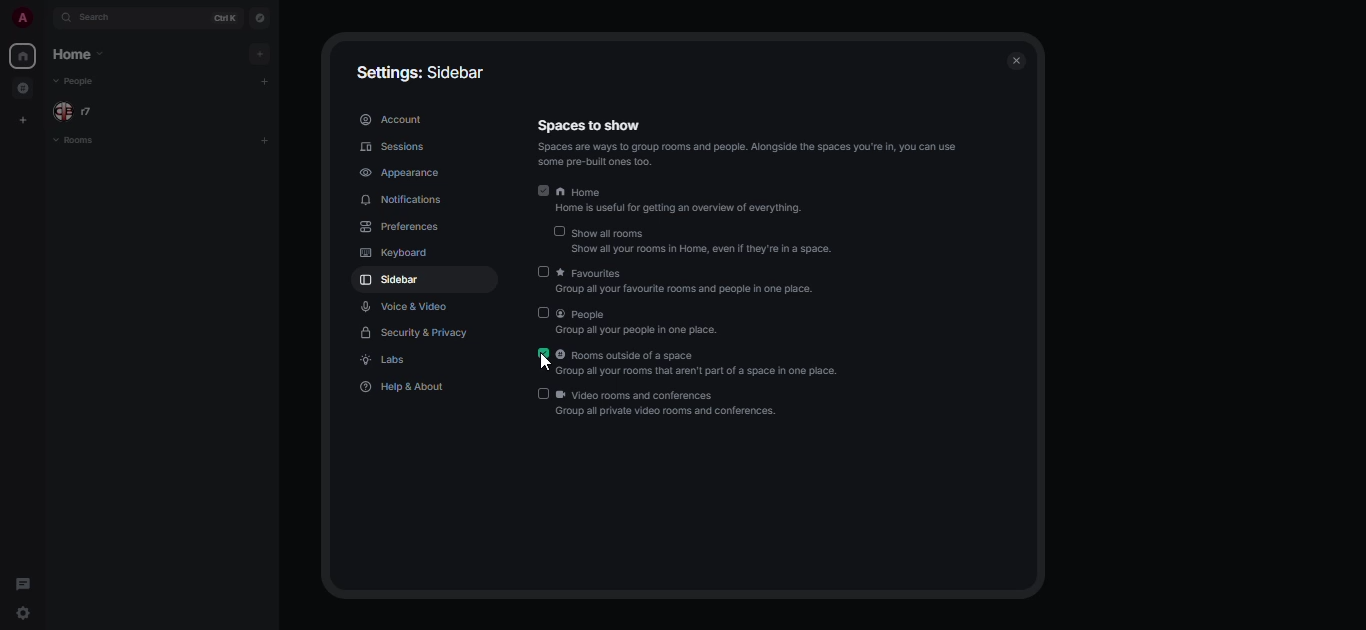 The width and height of the screenshot is (1366, 630). I want to click on disabled, so click(558, 232).